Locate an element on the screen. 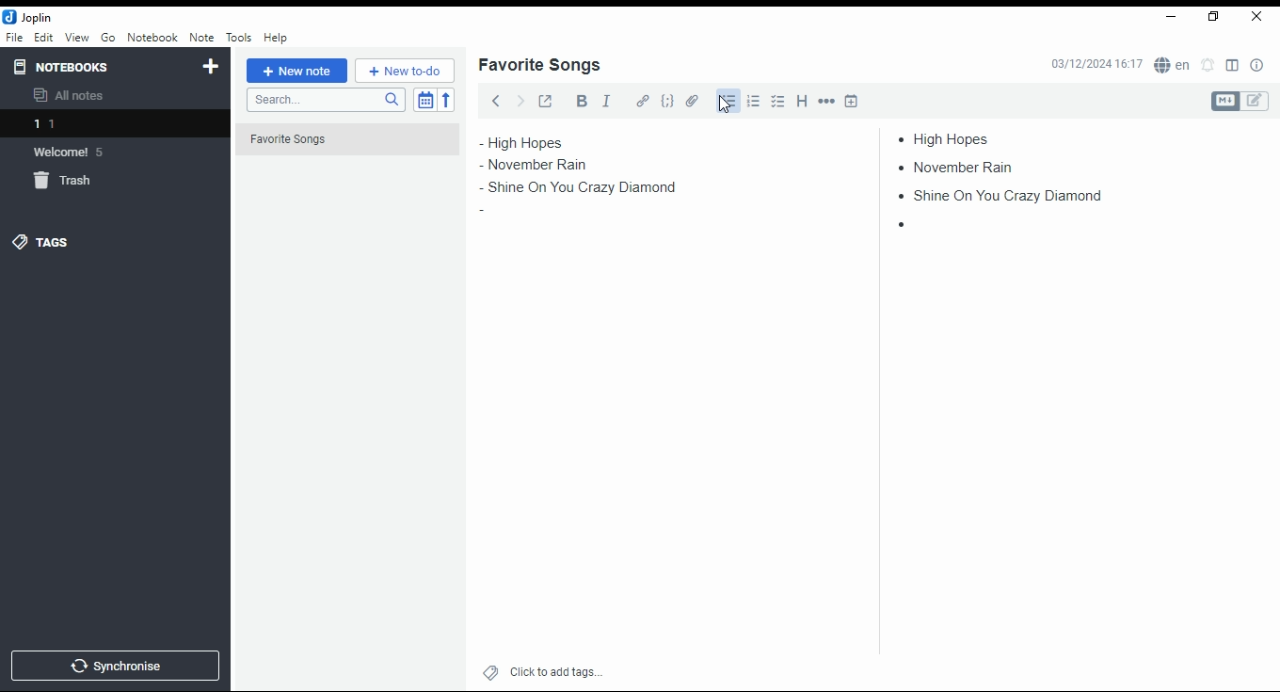  notebooks is located at coordinates (97, 66).